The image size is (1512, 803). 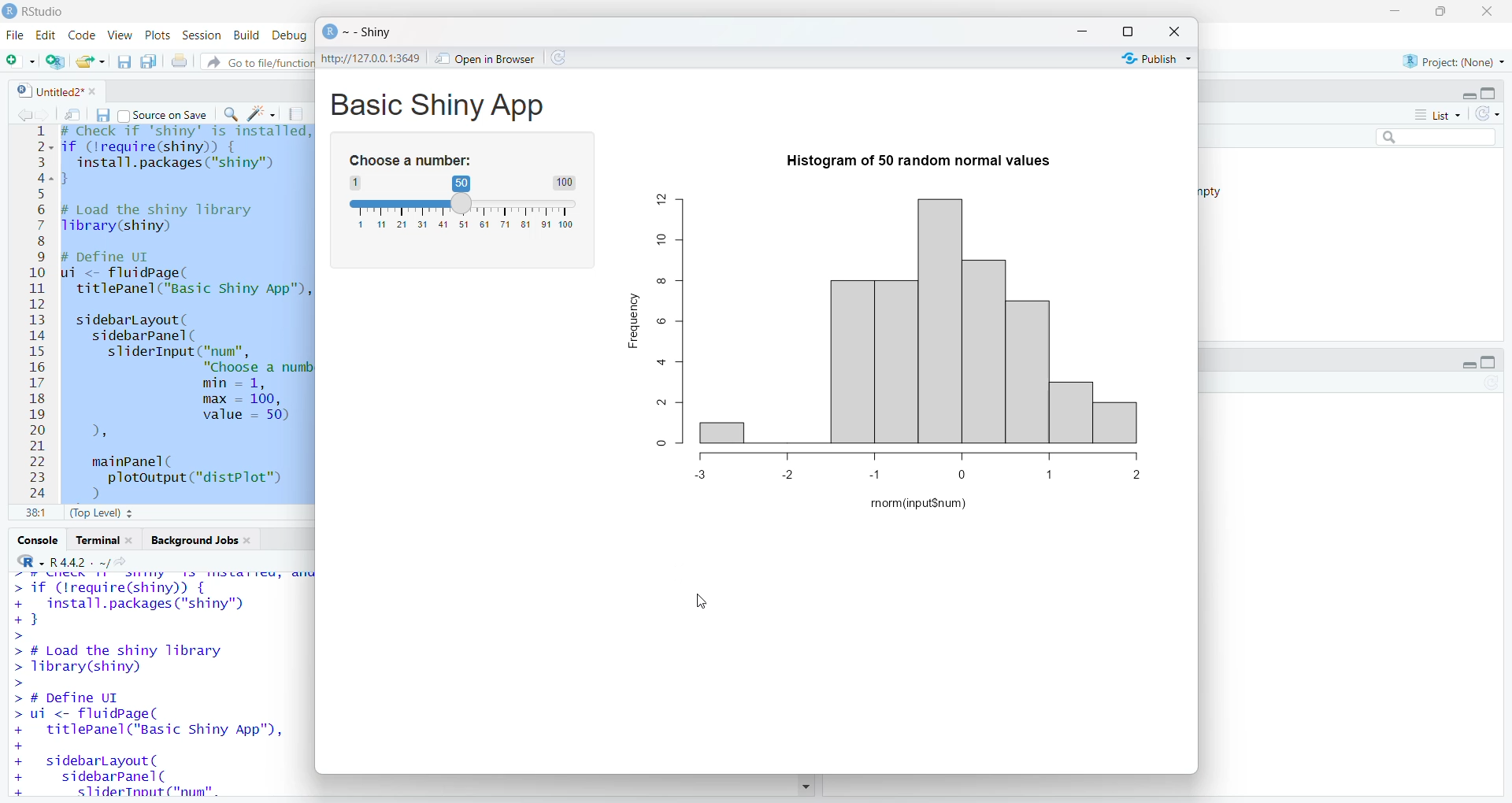 What do you see at coordinates (291, 35) in the screenshot?
I see `Debug` at bounding box center [291, 35].